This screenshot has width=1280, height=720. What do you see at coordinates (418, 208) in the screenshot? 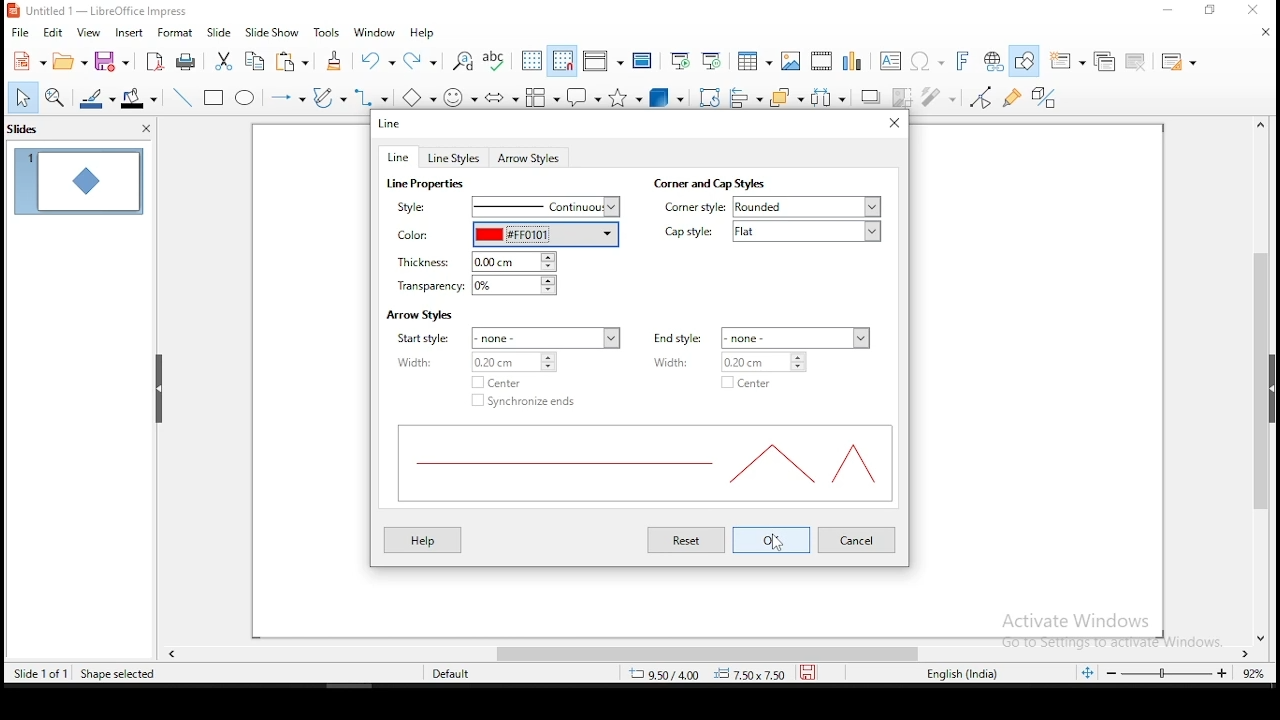
I see `line style` at bounding box center [418, 208].